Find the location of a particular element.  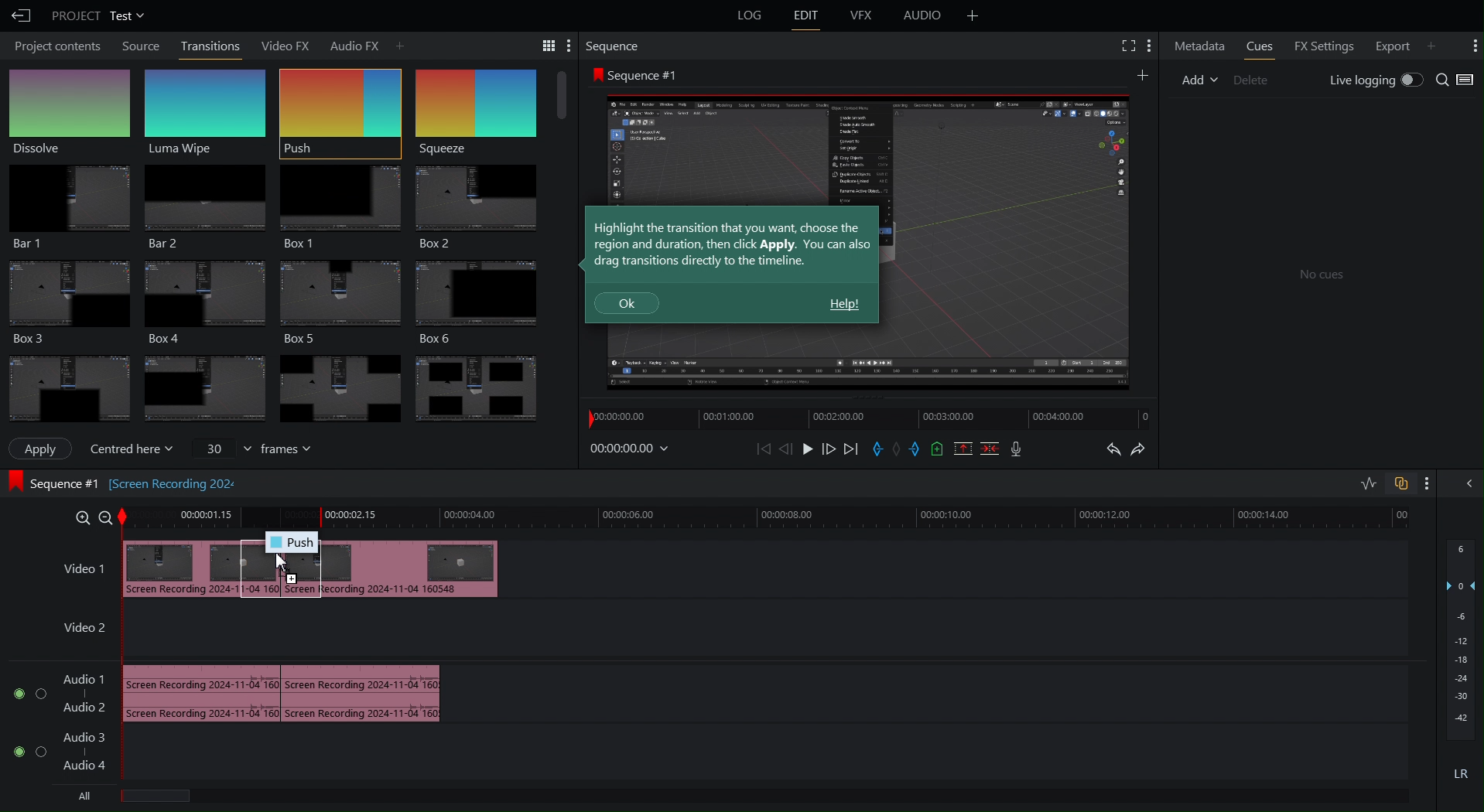

Exit Marker is located at coordinates (919, 452).